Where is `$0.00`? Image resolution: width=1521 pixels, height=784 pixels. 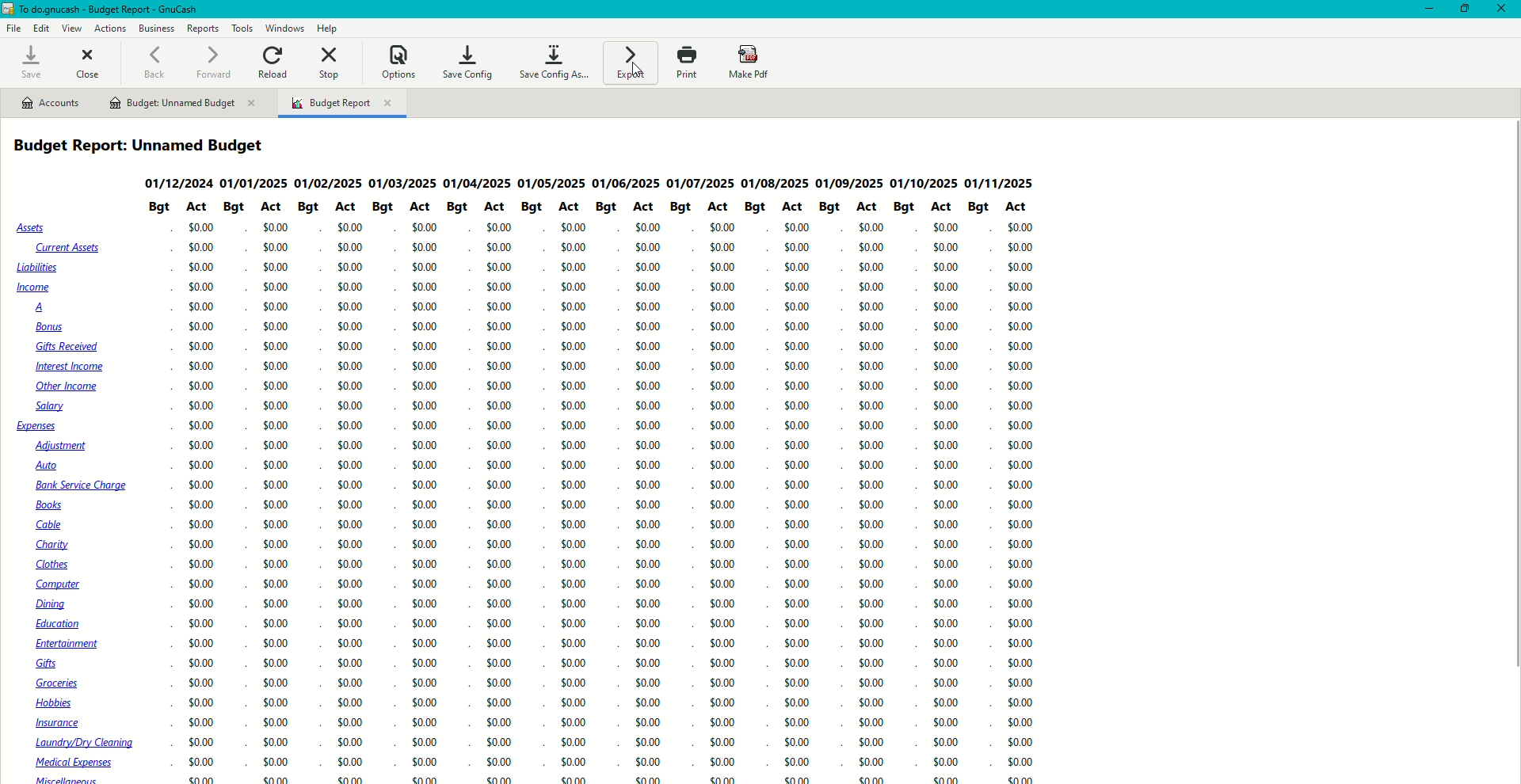 $0.00 is located at coordinates (648, 541).